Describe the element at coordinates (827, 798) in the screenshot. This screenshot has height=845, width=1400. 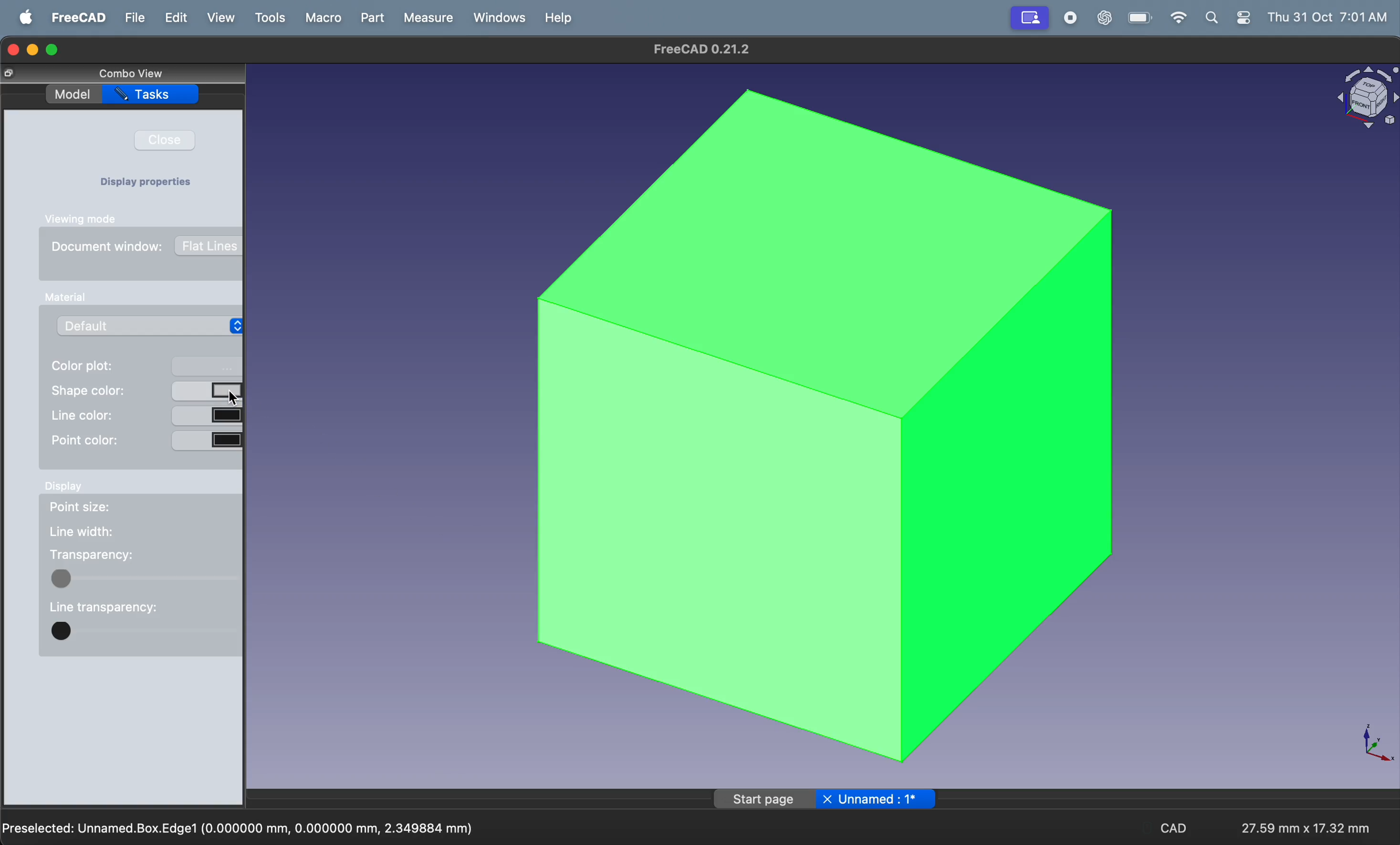
I see `page name` at that location.